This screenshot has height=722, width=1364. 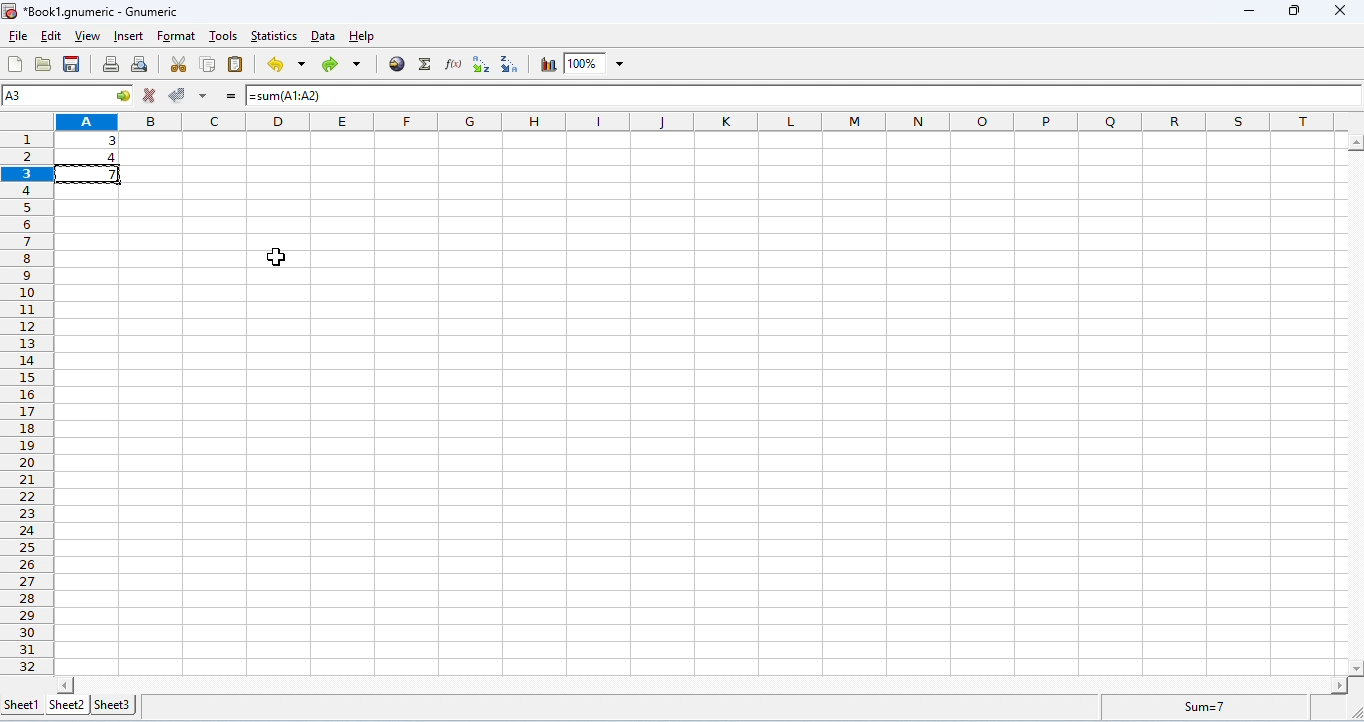 What do you see at coordinates (177, 95) in the screenshot?
I see `accept` at bounding box center [177, 95].